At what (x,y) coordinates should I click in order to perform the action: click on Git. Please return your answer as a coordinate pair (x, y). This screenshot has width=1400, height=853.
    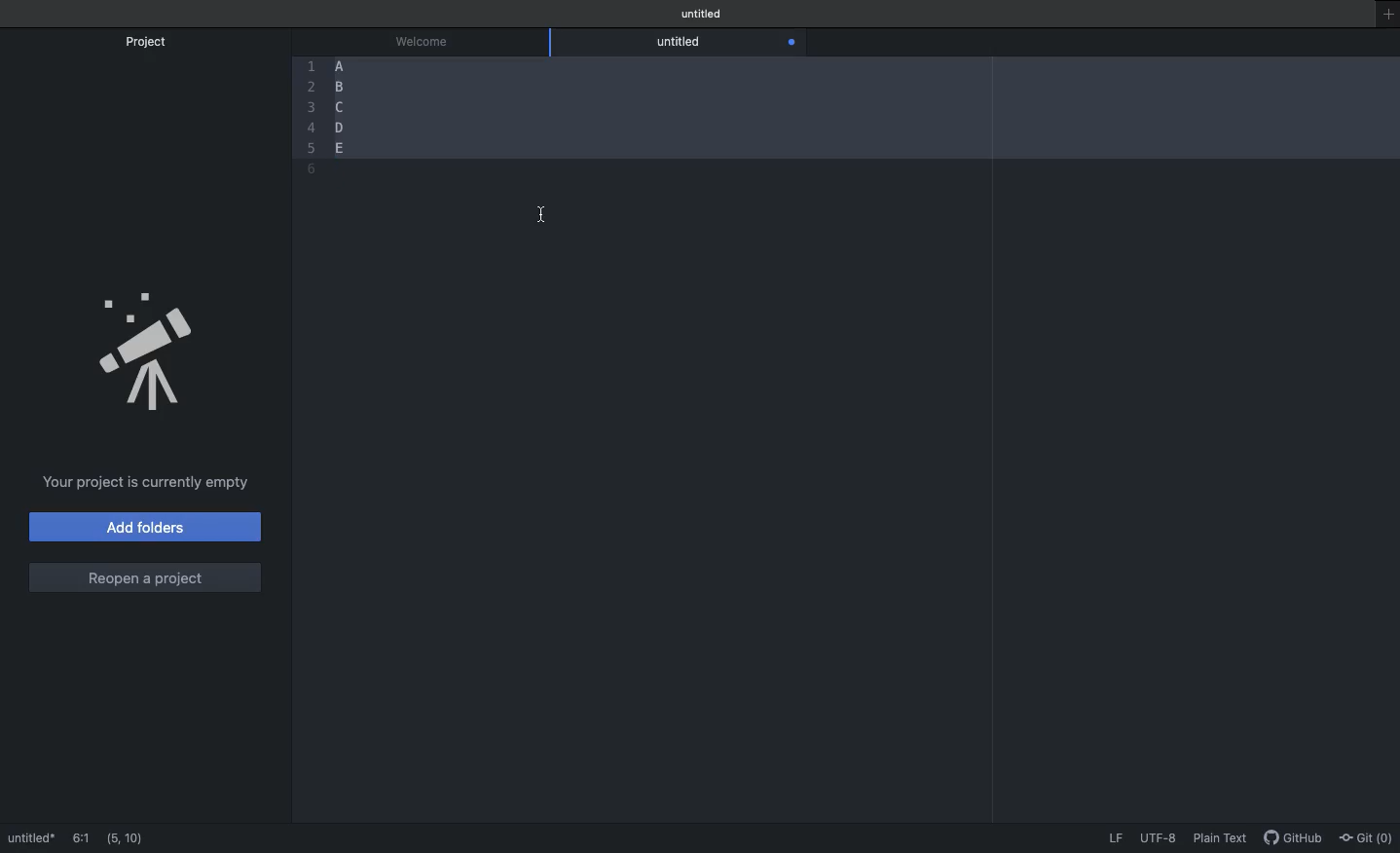
    Looking at the image, I should click on (1367, 839).